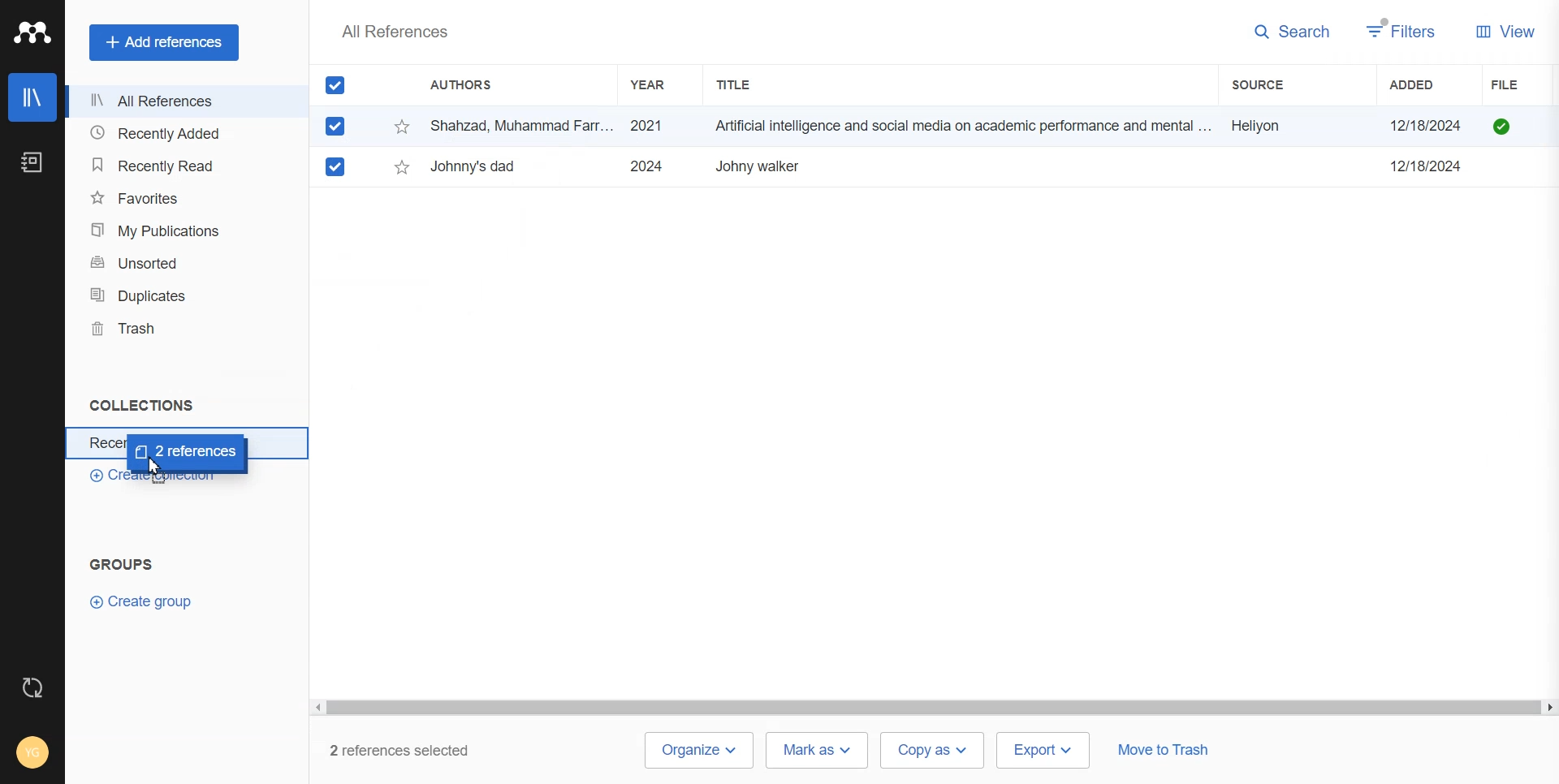 The image size is (1559, 784). Describe the element at coordinates (402, 167) in the screenshot. I see `star` at that location.